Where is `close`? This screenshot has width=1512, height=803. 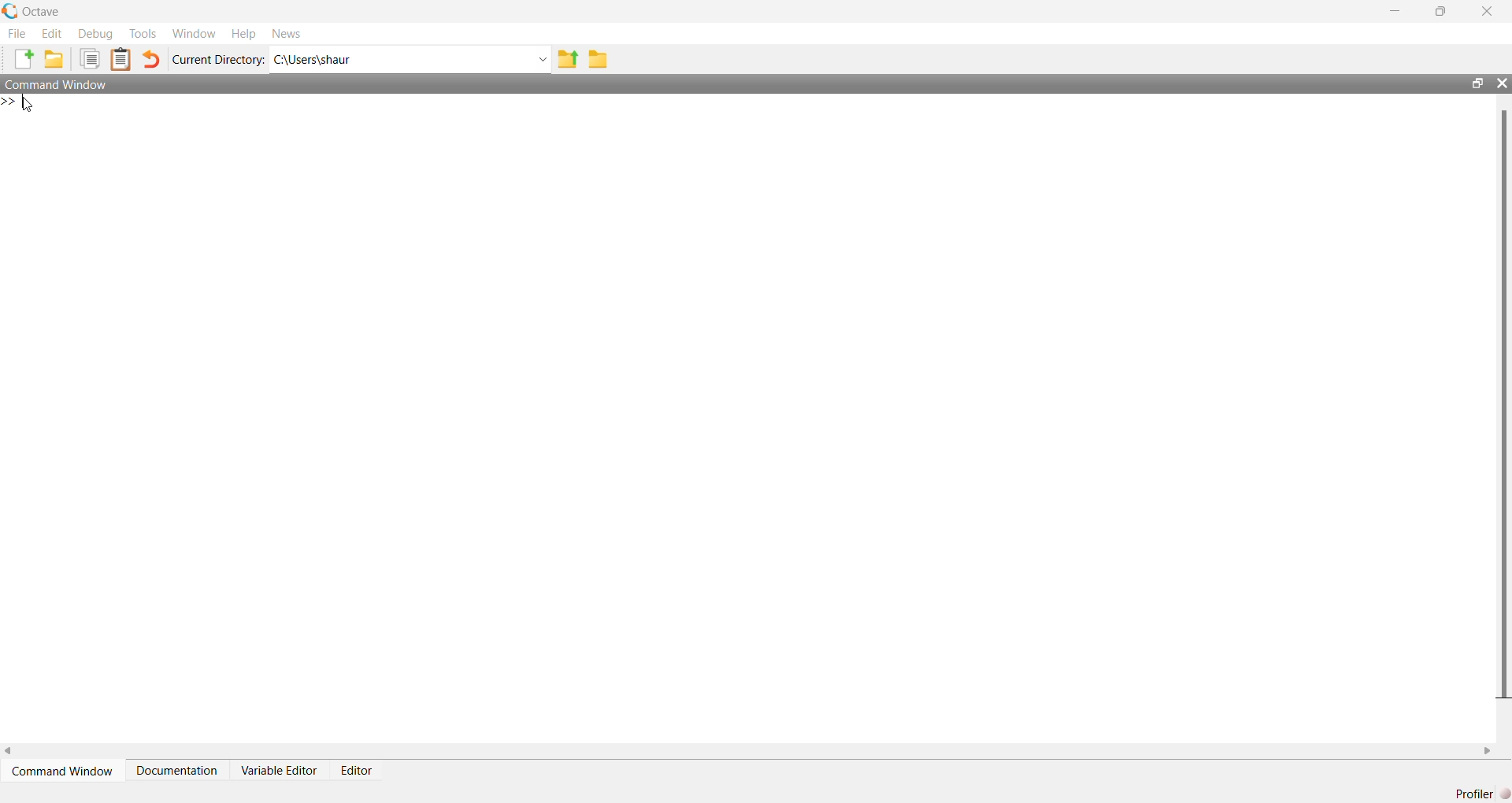
close is located at coordinates (1490, 10).